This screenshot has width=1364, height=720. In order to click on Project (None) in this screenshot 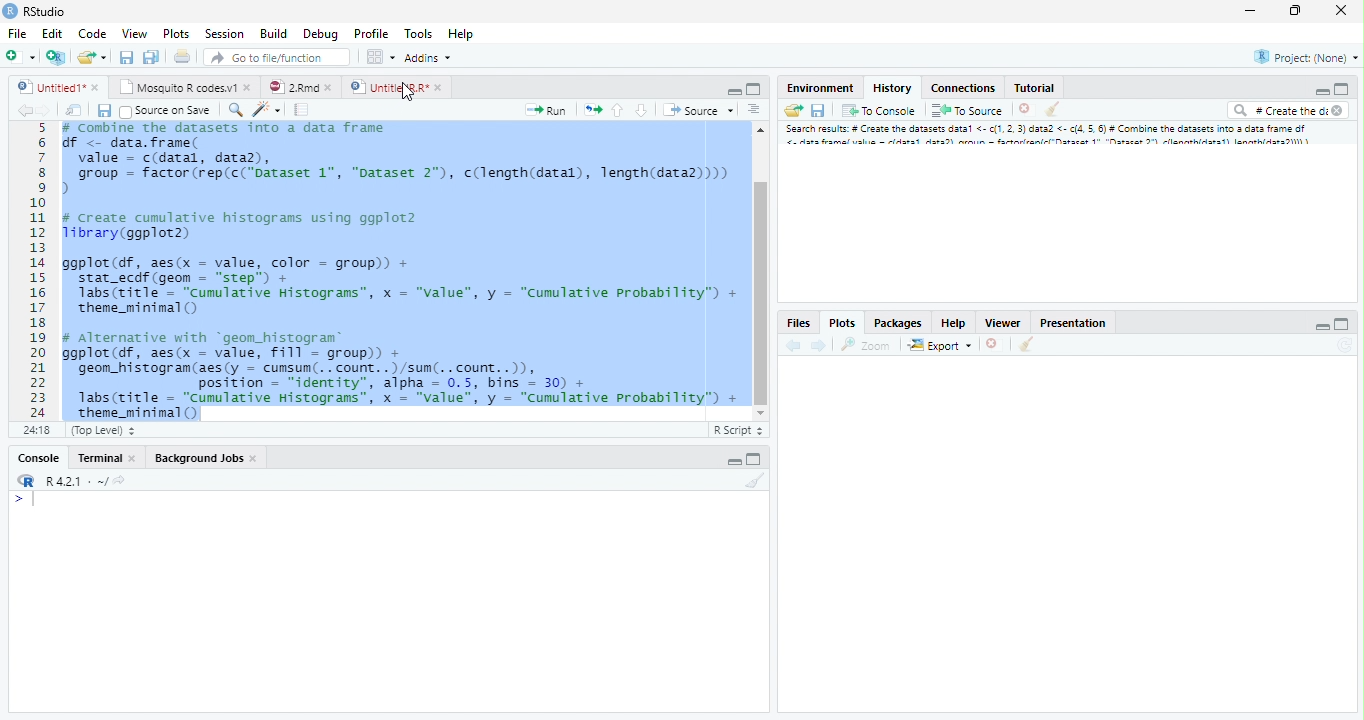, I will do `click(1308, 57)`.